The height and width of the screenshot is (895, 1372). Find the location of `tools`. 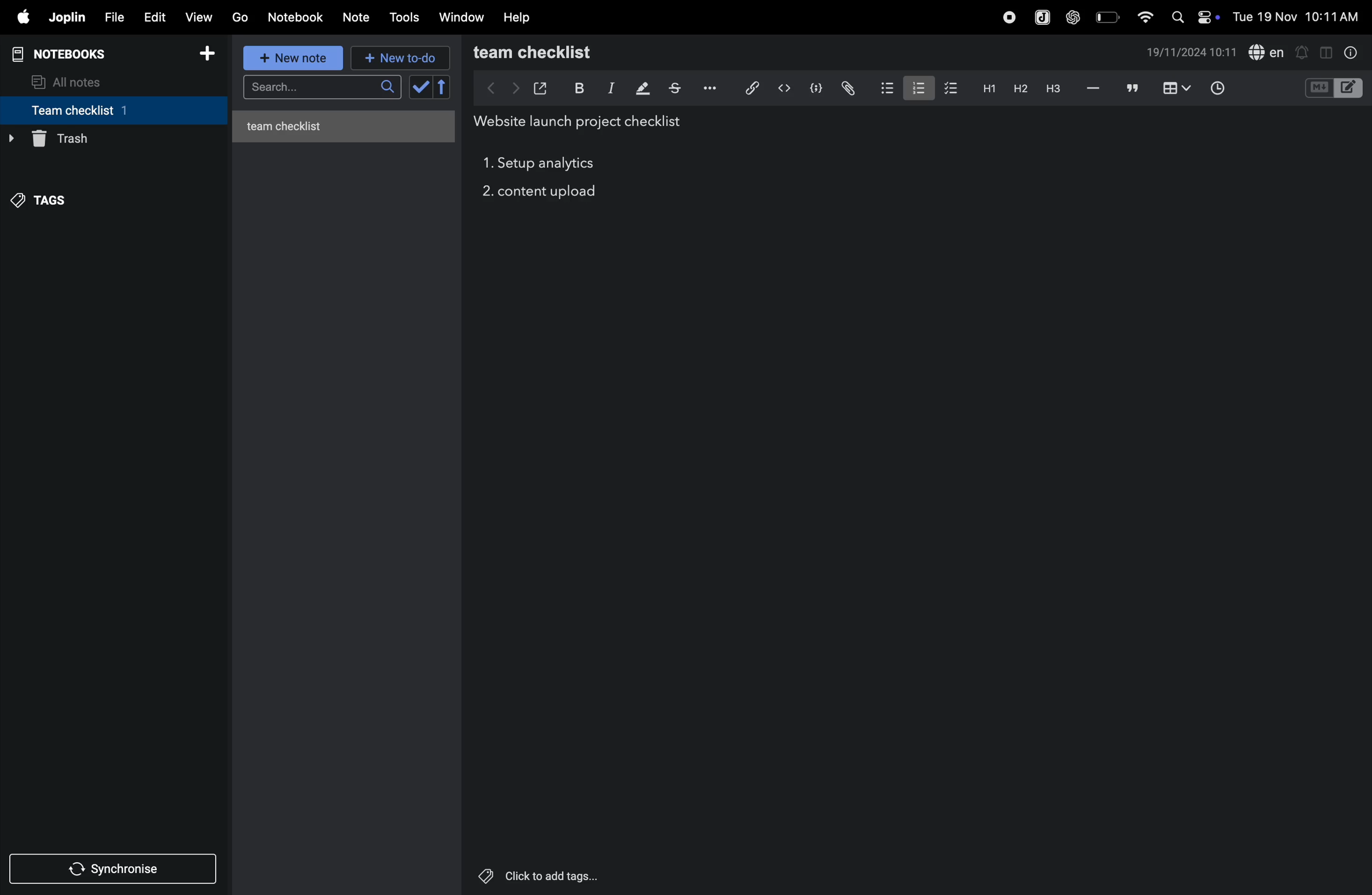

tools is located at coordinates (406, 17).